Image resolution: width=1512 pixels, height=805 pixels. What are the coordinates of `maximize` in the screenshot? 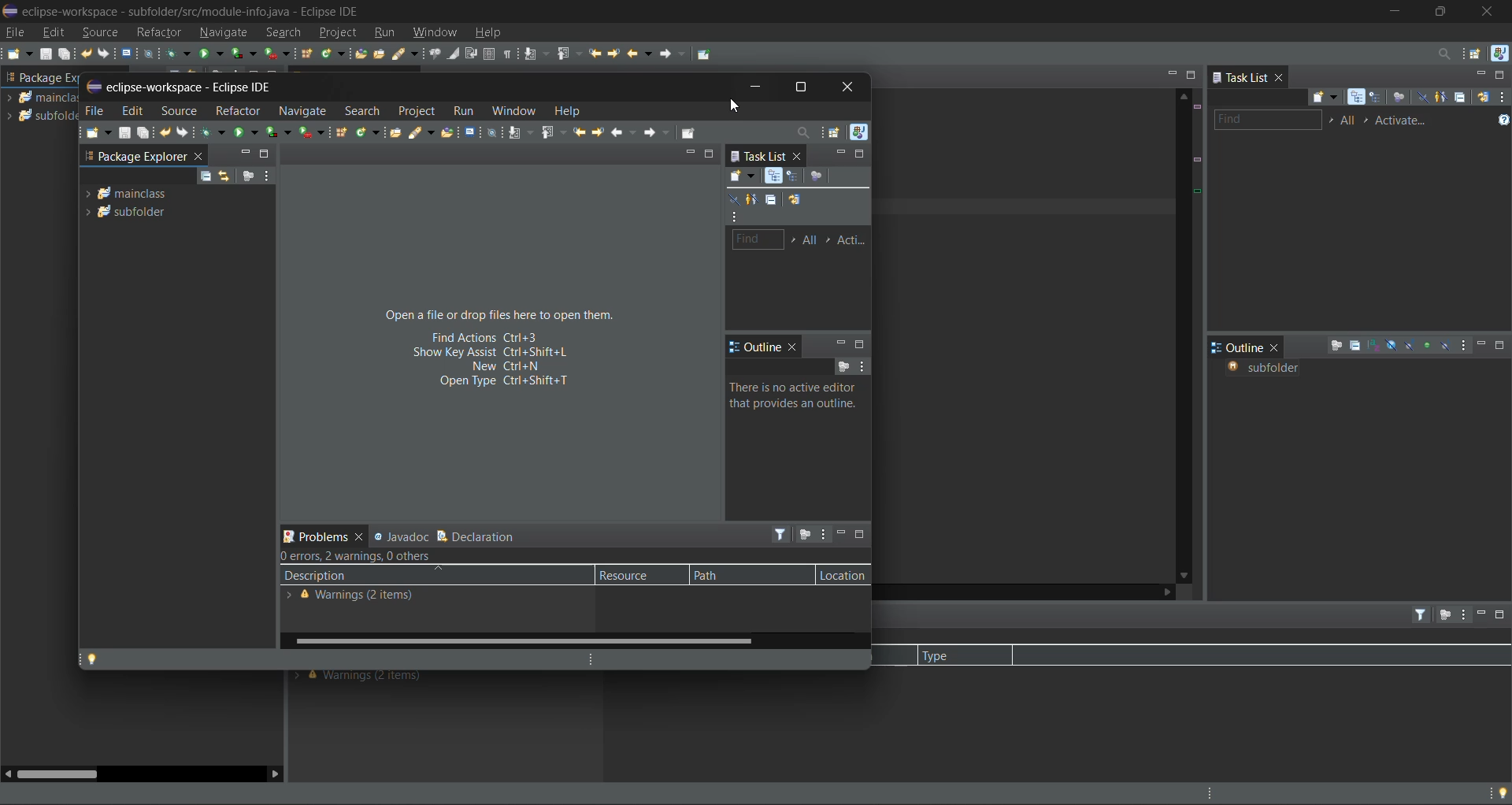 It's located at (1194, 76).